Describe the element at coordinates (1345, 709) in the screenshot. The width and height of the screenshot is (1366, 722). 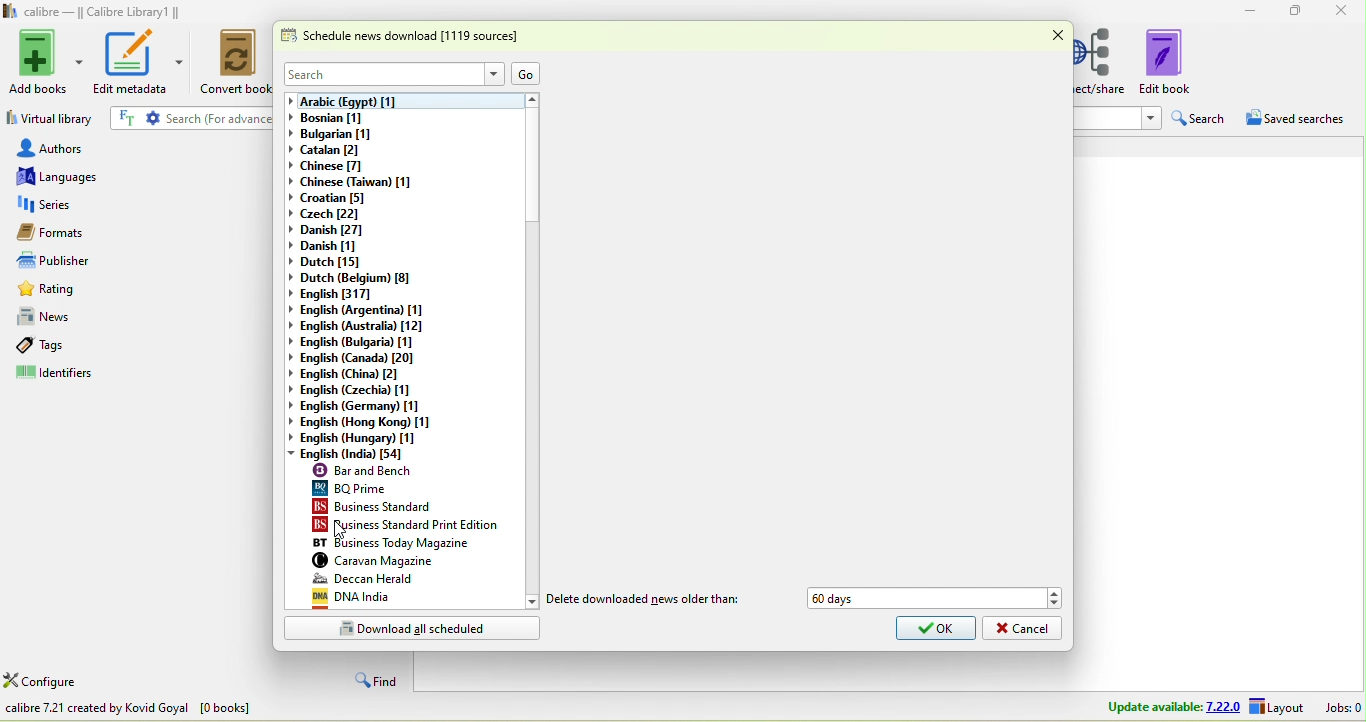
I see `jobs 0` at that location.